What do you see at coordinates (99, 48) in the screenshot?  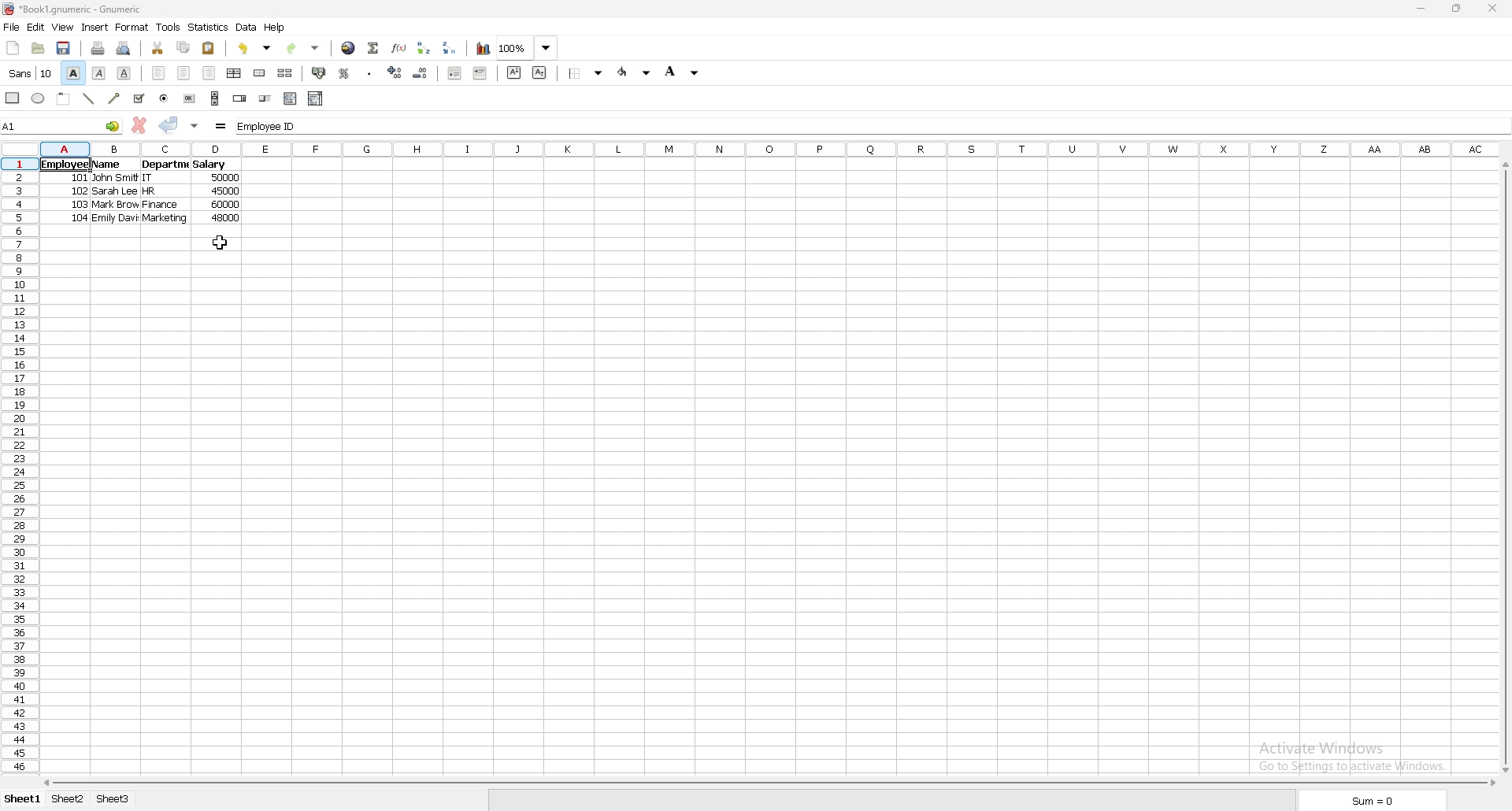 I see `print` at bounding box center [99, 48].